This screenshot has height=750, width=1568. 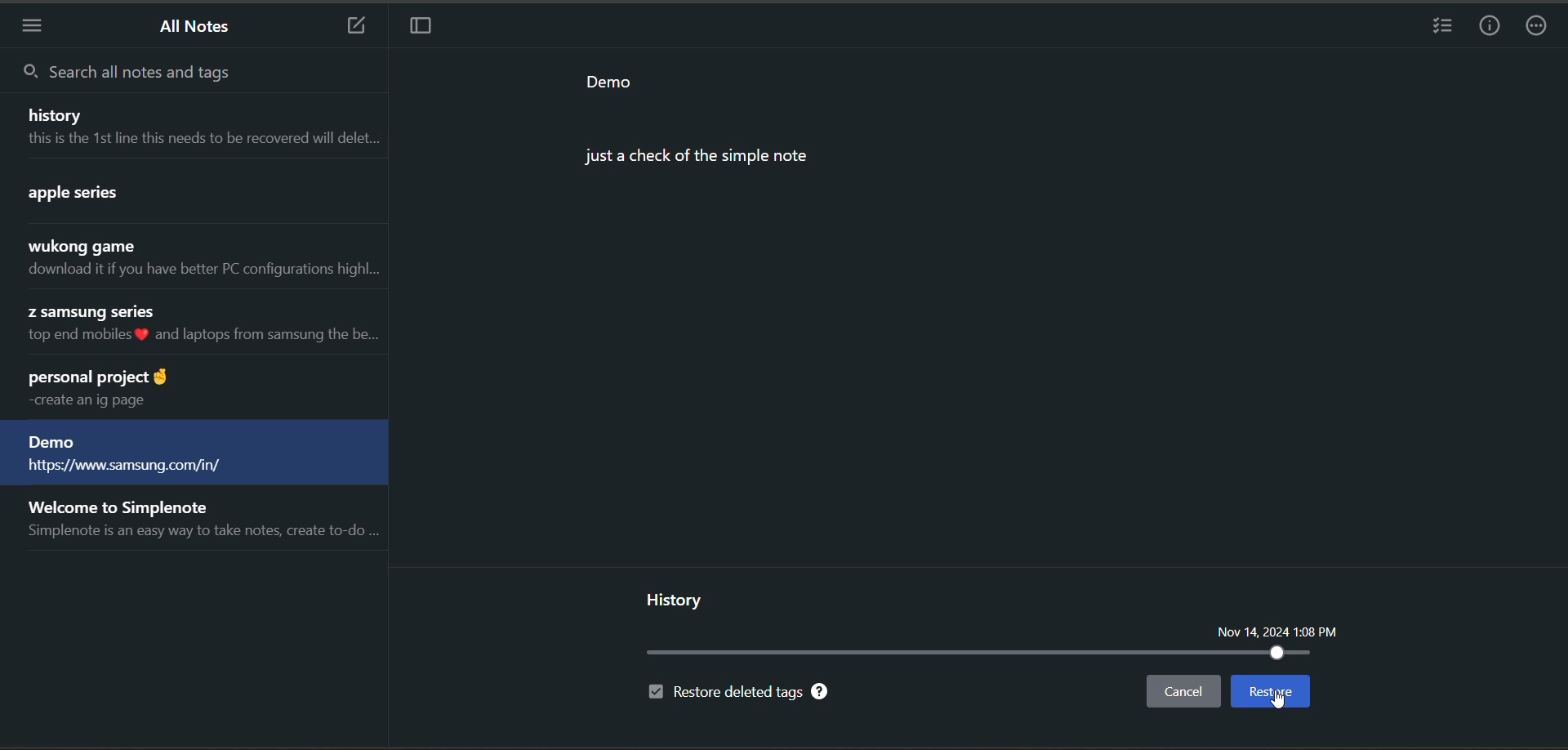 What do you see at coordinates (677, 599) in the screenshot?
I see `history` at bounding box center [677, 599].